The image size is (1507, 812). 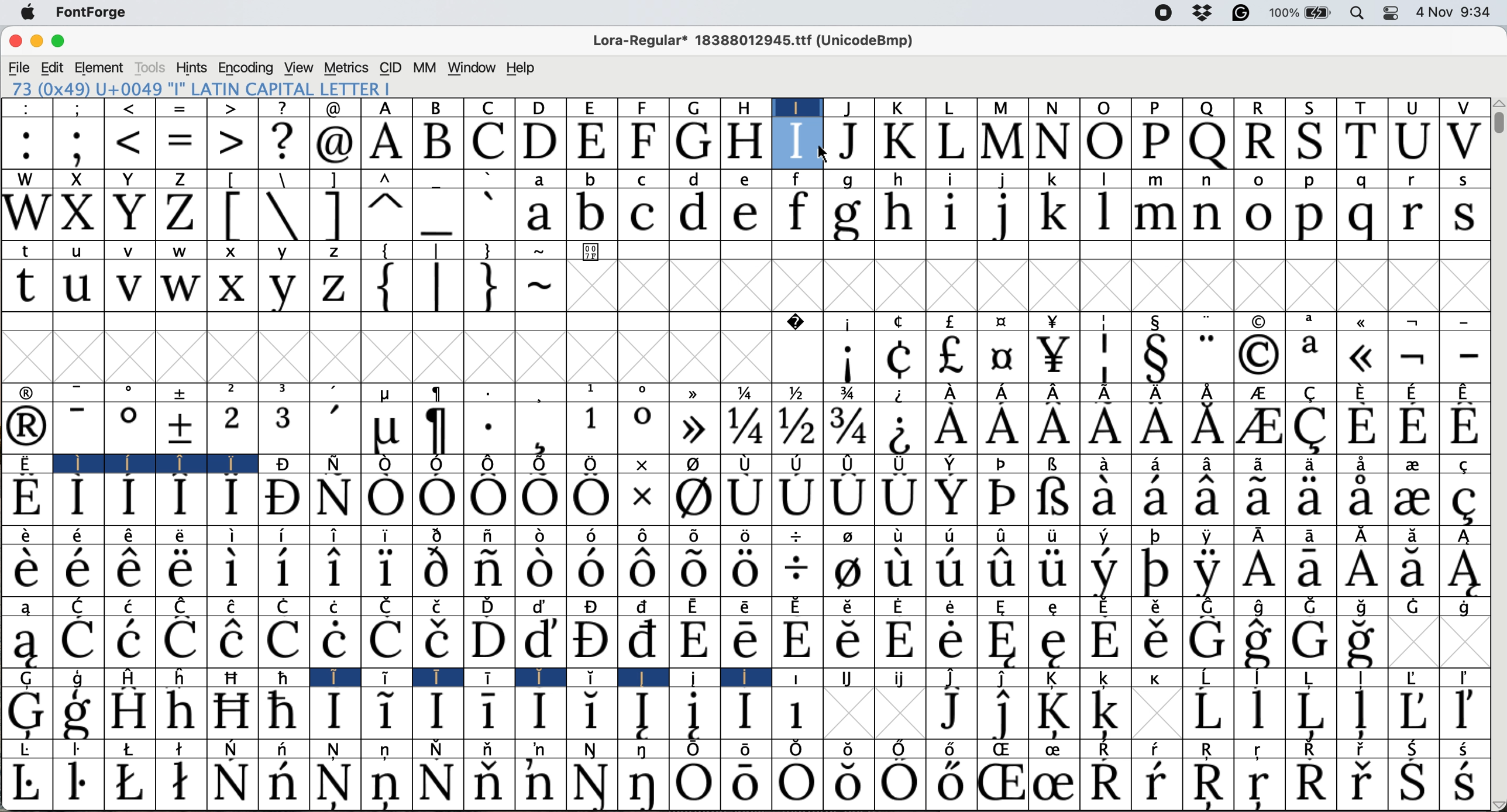 I want to click on Symbol, so click(x=1004, y=750).